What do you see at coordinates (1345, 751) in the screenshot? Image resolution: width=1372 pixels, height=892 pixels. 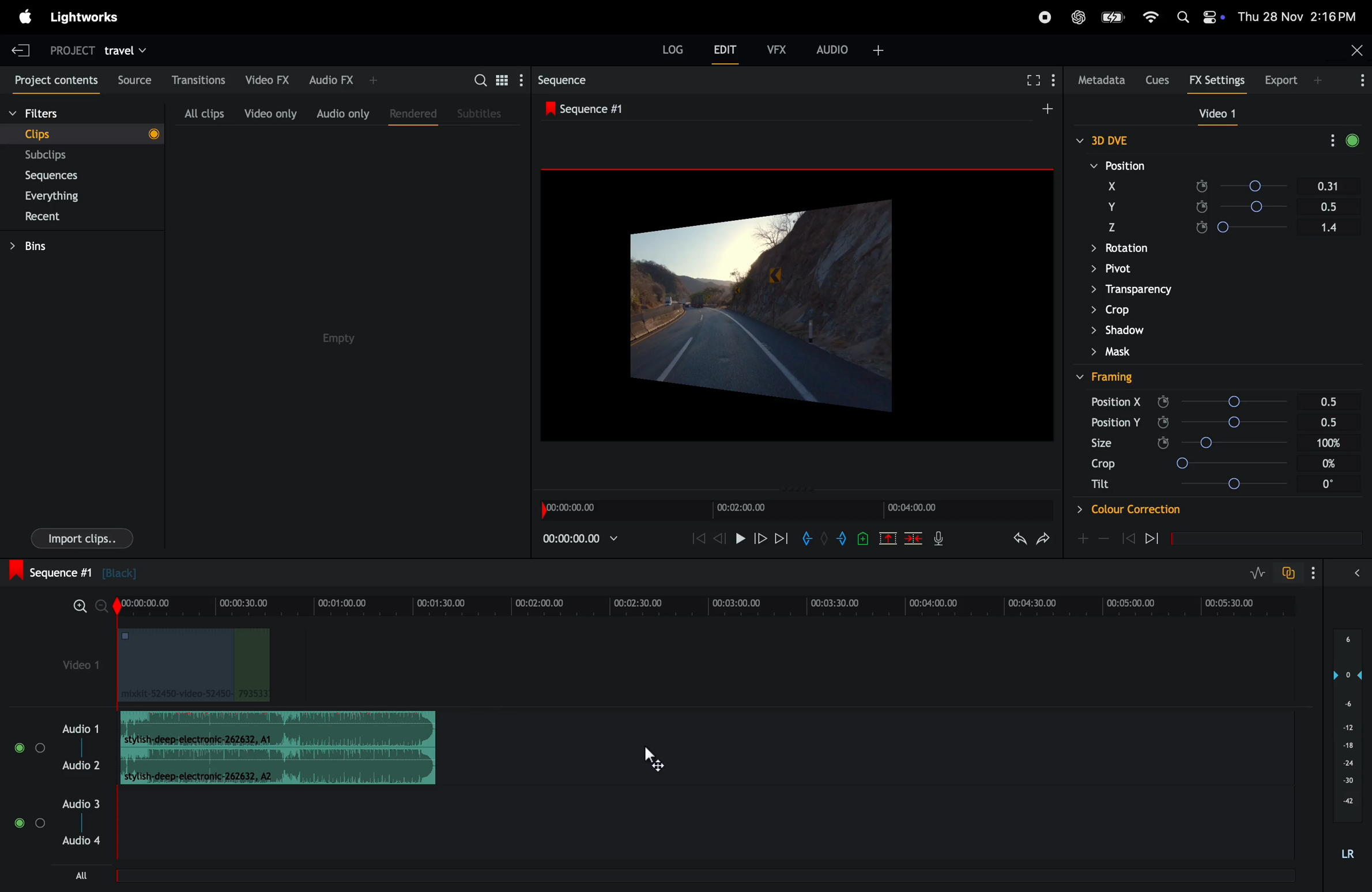 I see `pitch level` at bounding box center [1345, 751].